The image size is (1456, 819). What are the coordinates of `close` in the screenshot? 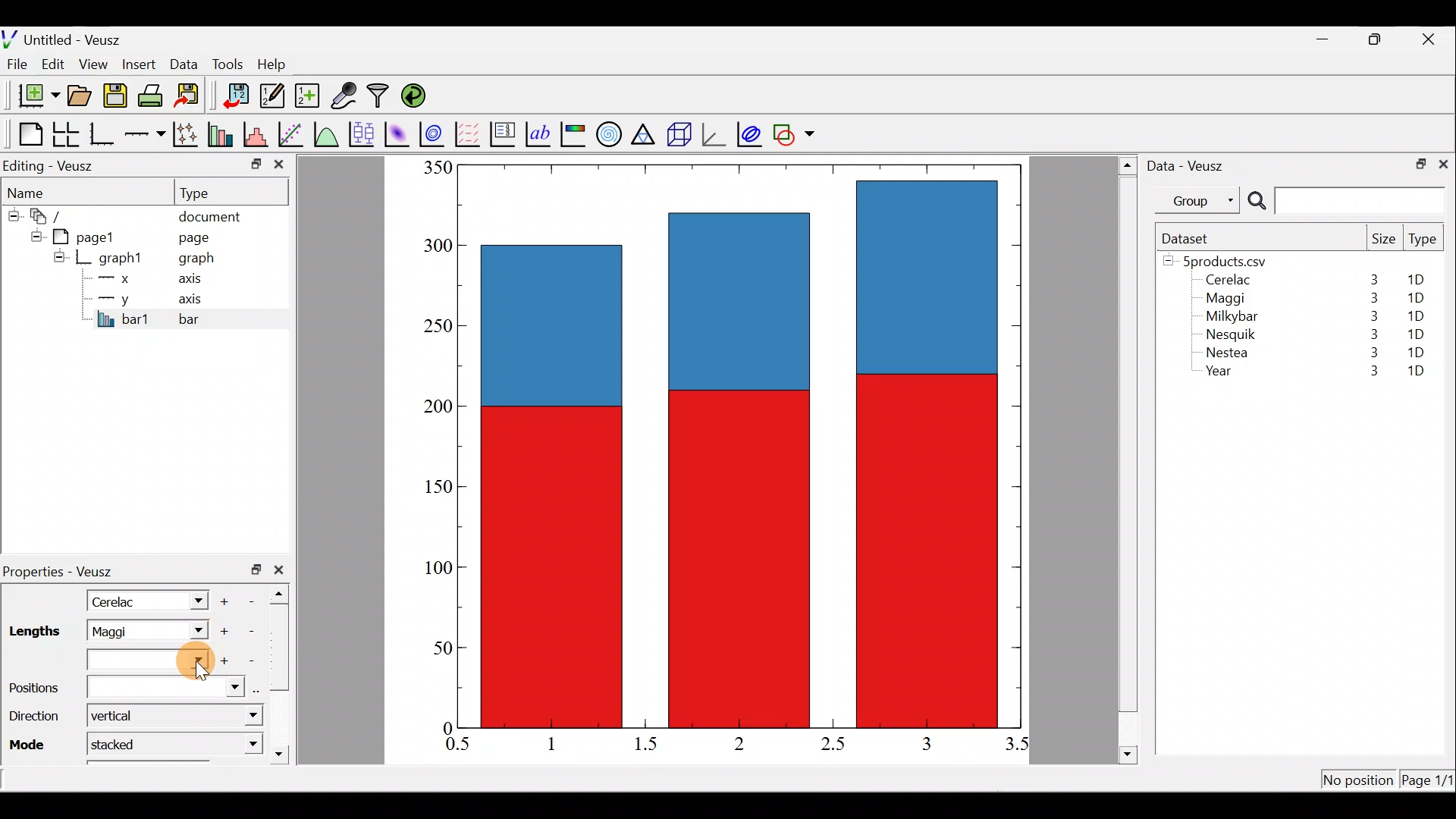 It's located at (282, 570).